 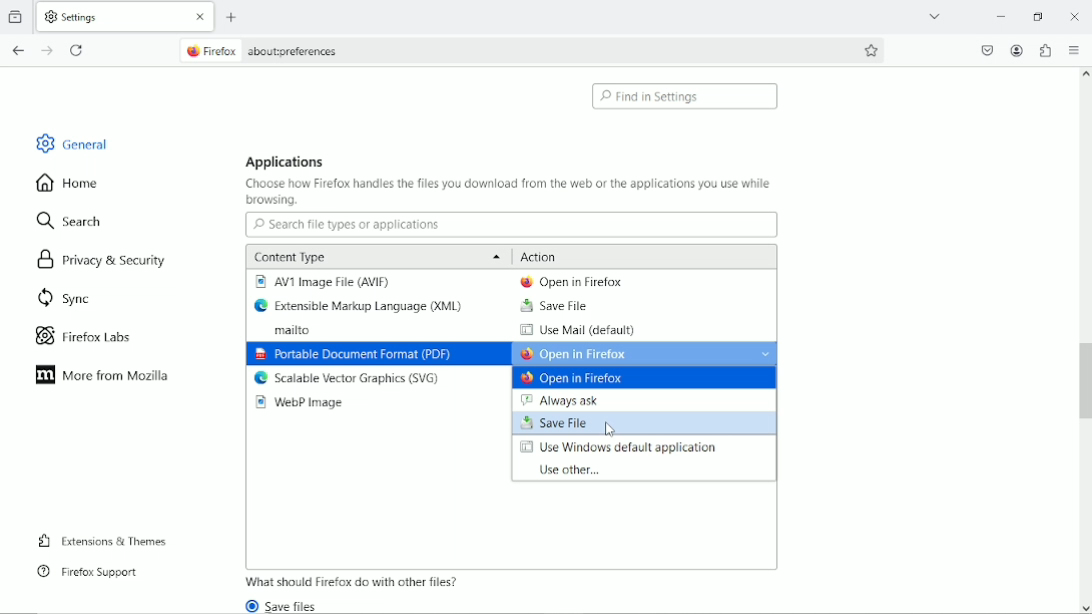 I want to click on Reload current tab, so click(x=77, y=52).